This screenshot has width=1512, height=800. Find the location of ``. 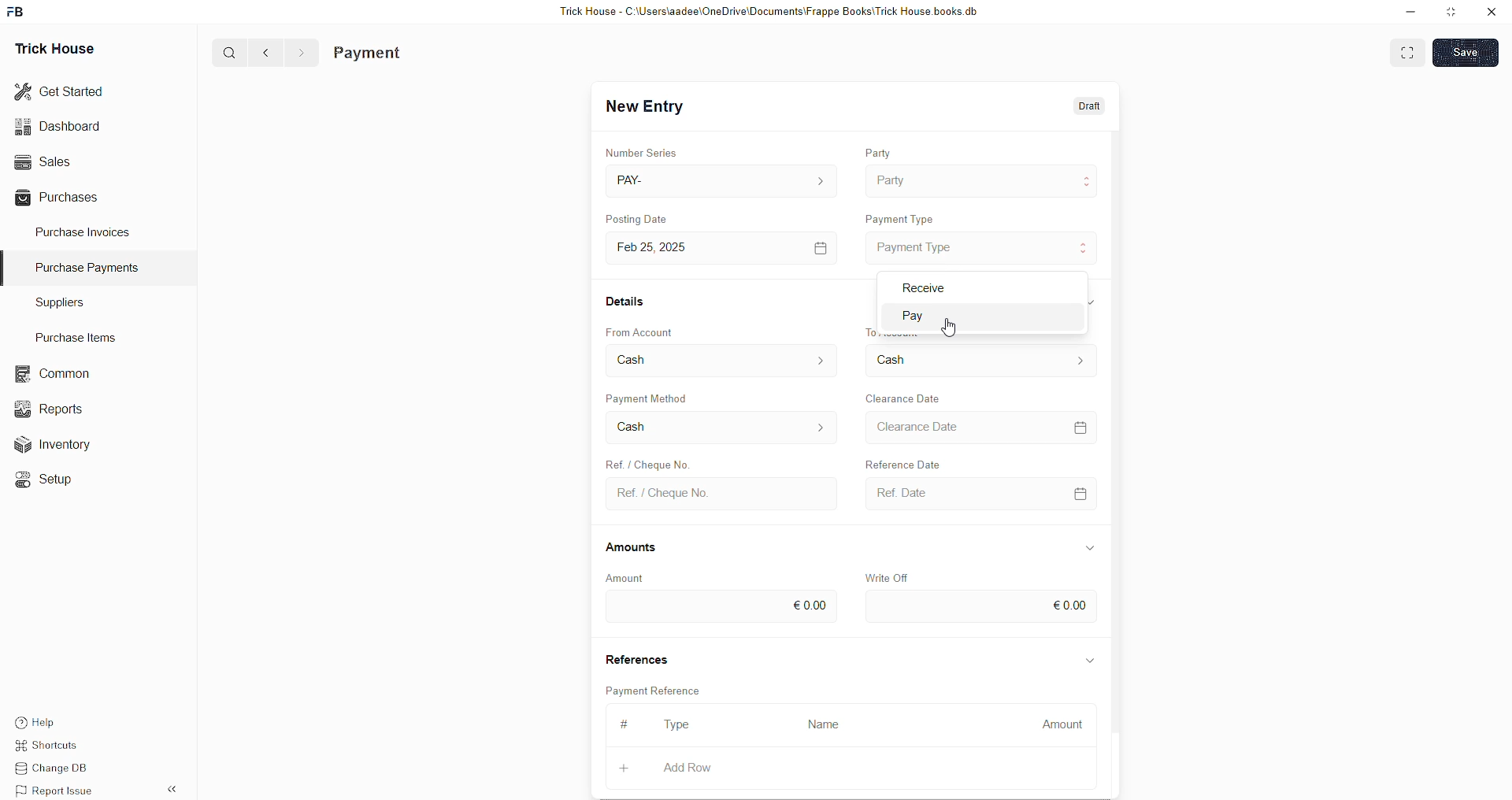

 is located at coordinates (1091, 547).